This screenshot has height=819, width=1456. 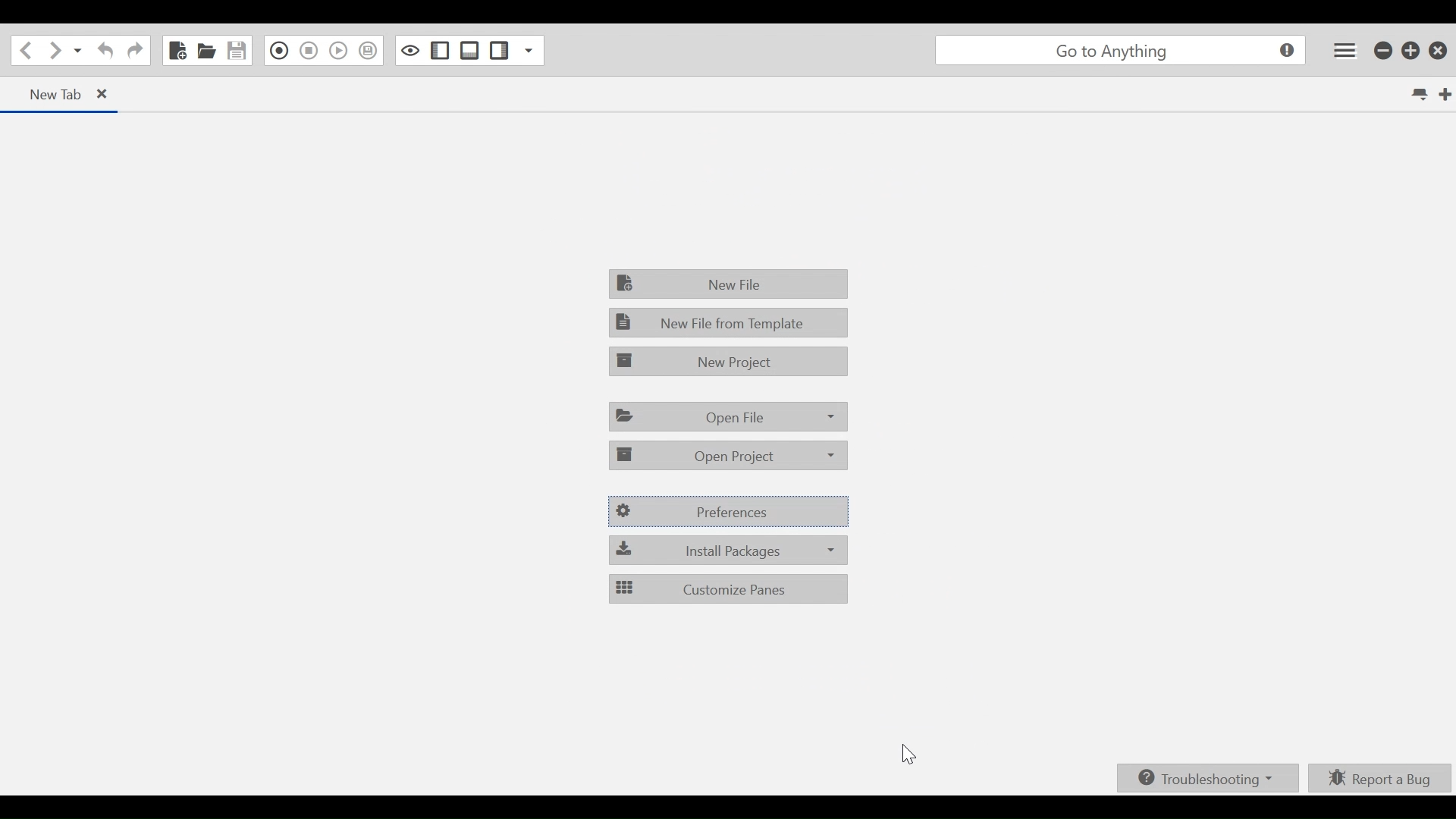 I want to click on New Tab, so click(x=46, y=93).